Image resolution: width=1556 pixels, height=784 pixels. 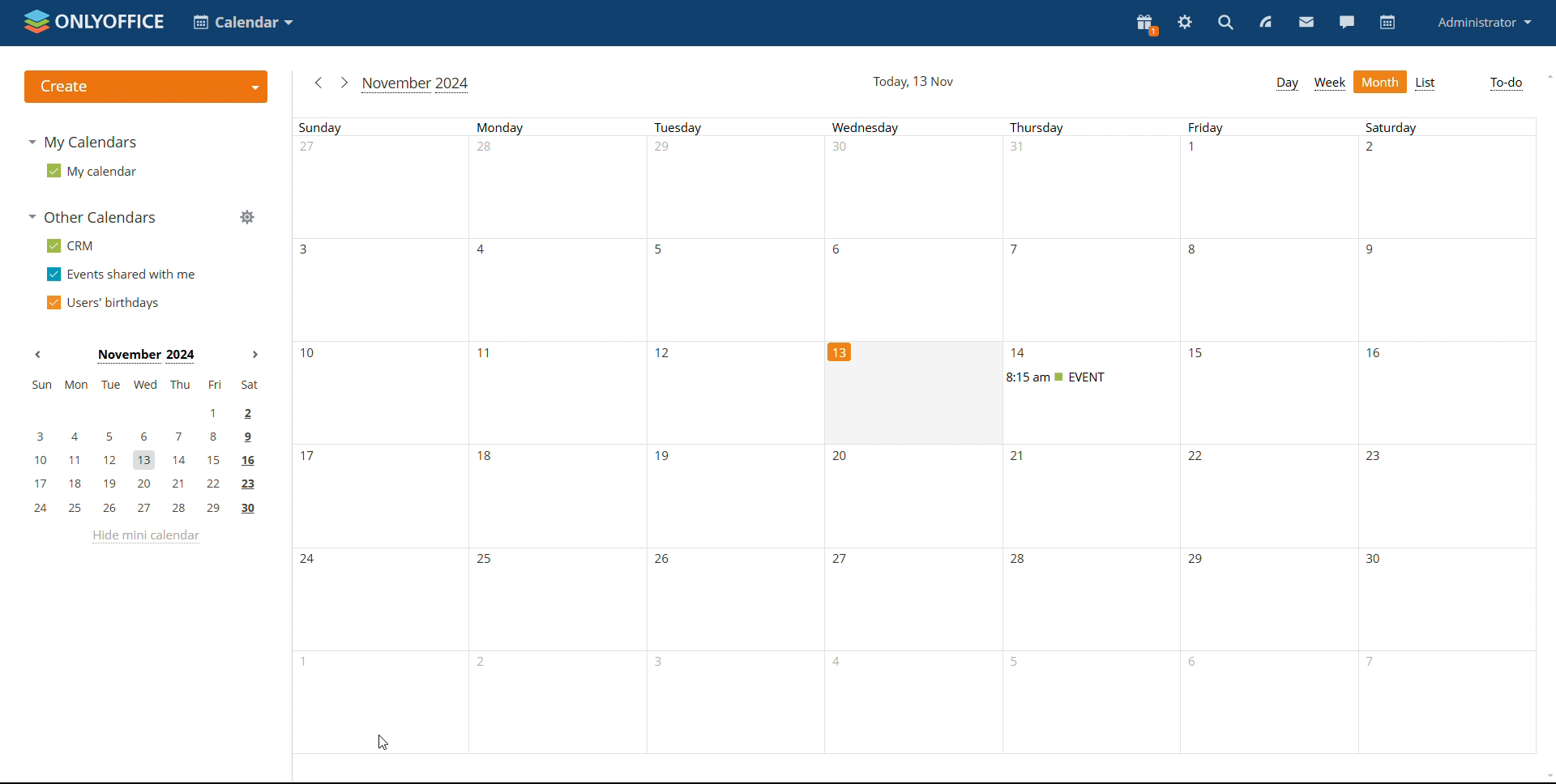 What do you see at coordinates (1546, 776) in the screenshot?
I see `scroll down` at bounding box center [1546, 776].